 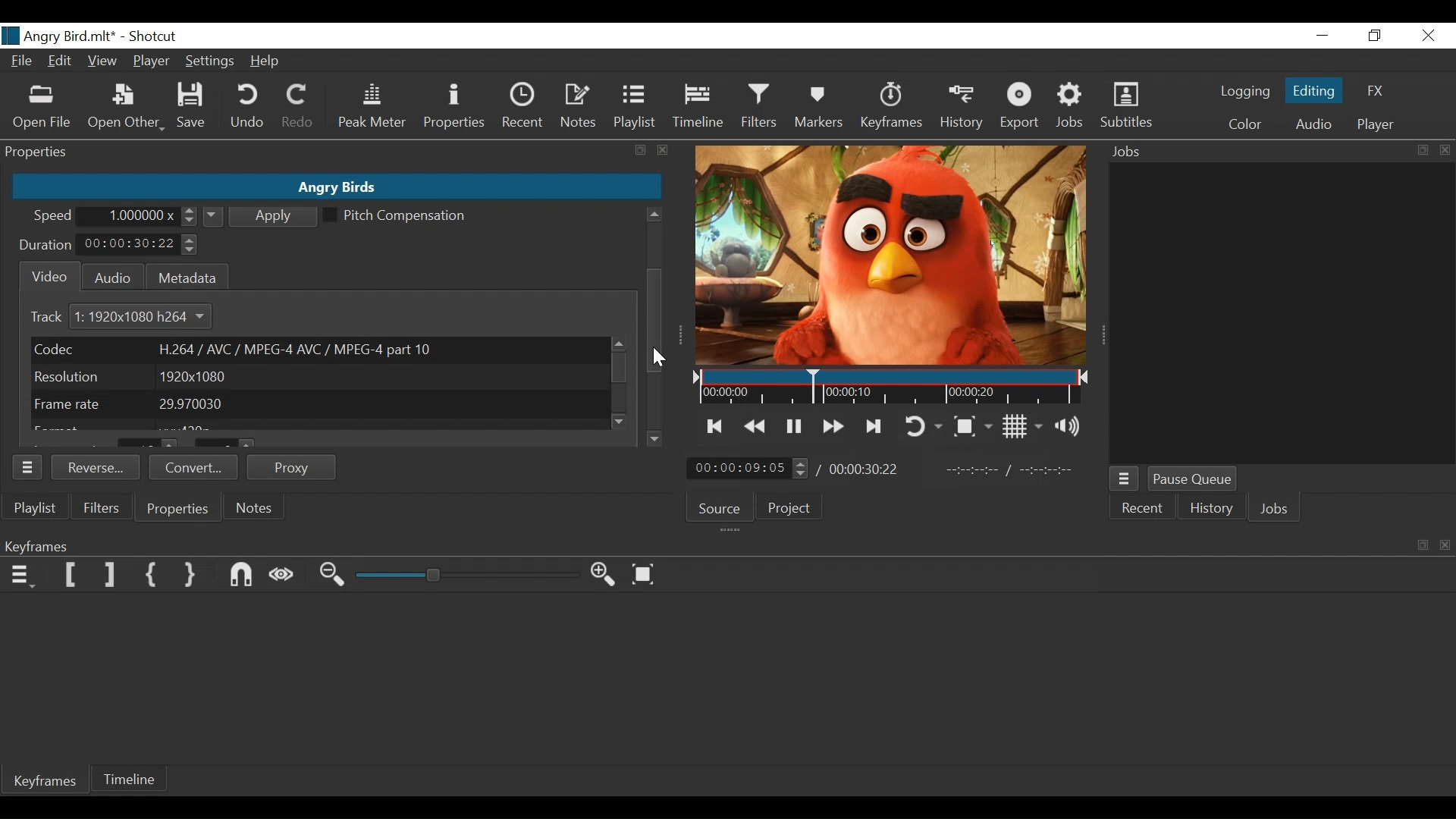 I want to click on Keyframe, so click(x=893, y=110).